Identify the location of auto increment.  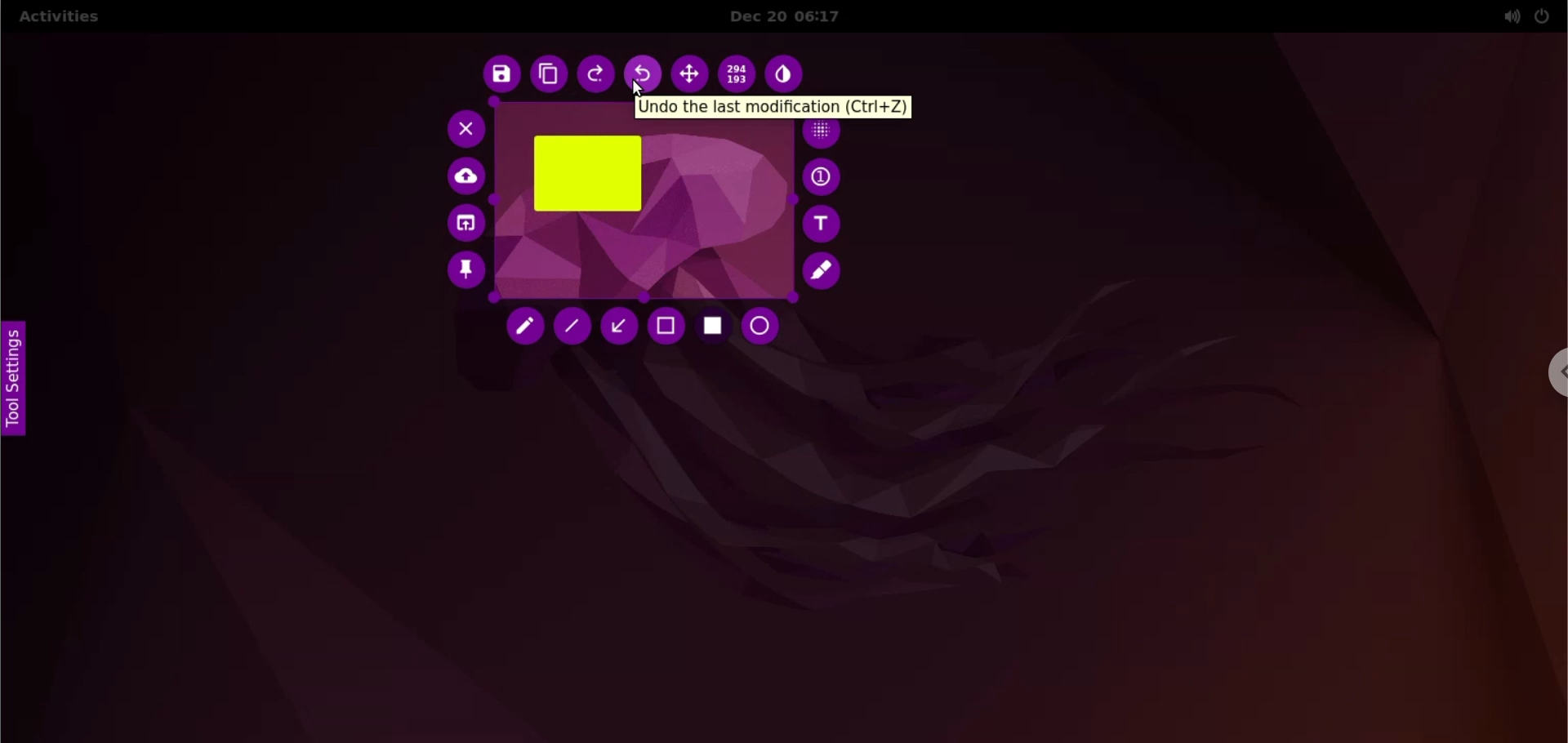
(824, 176).